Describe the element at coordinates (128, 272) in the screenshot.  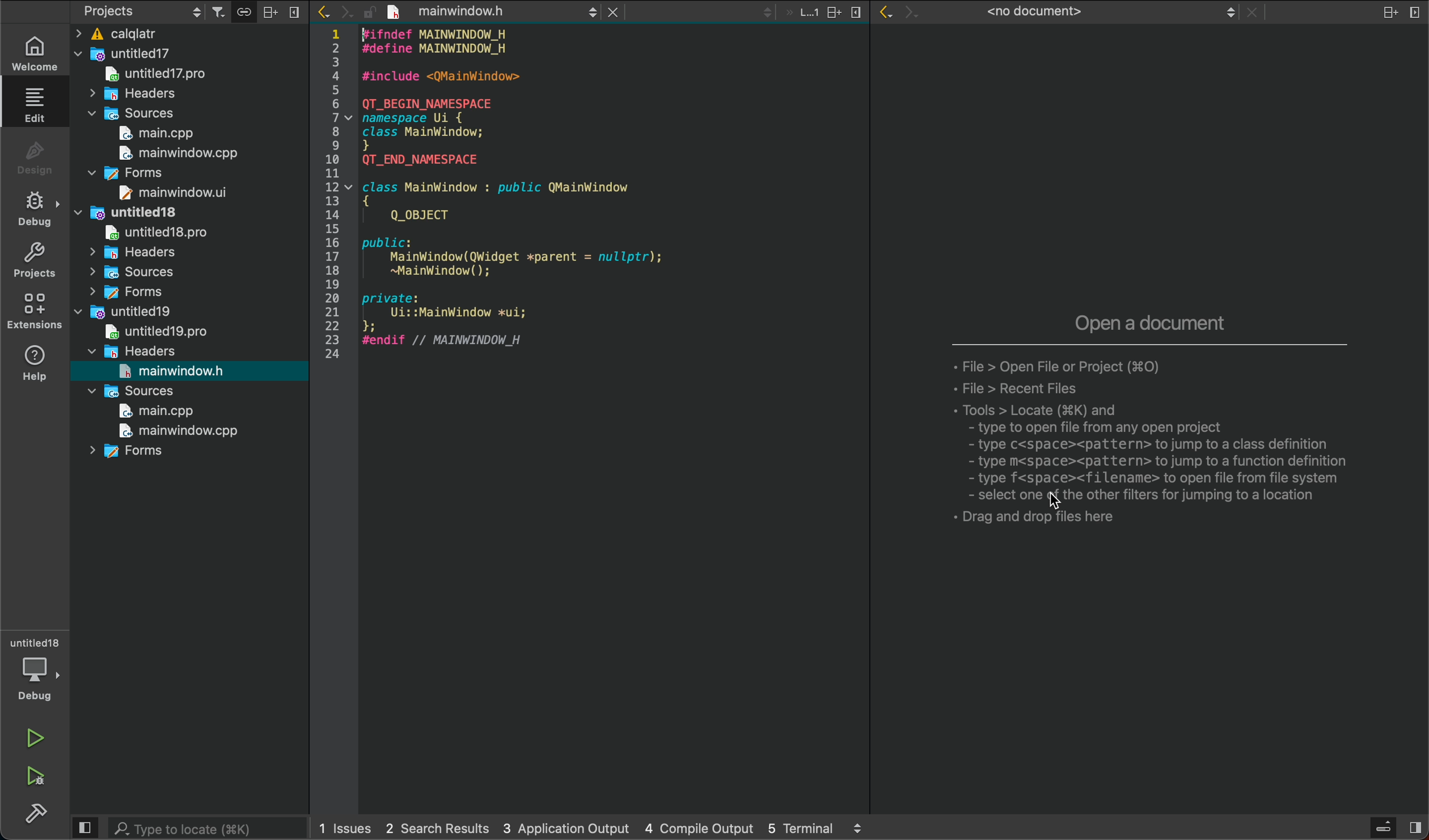
I see `sources` at that location.